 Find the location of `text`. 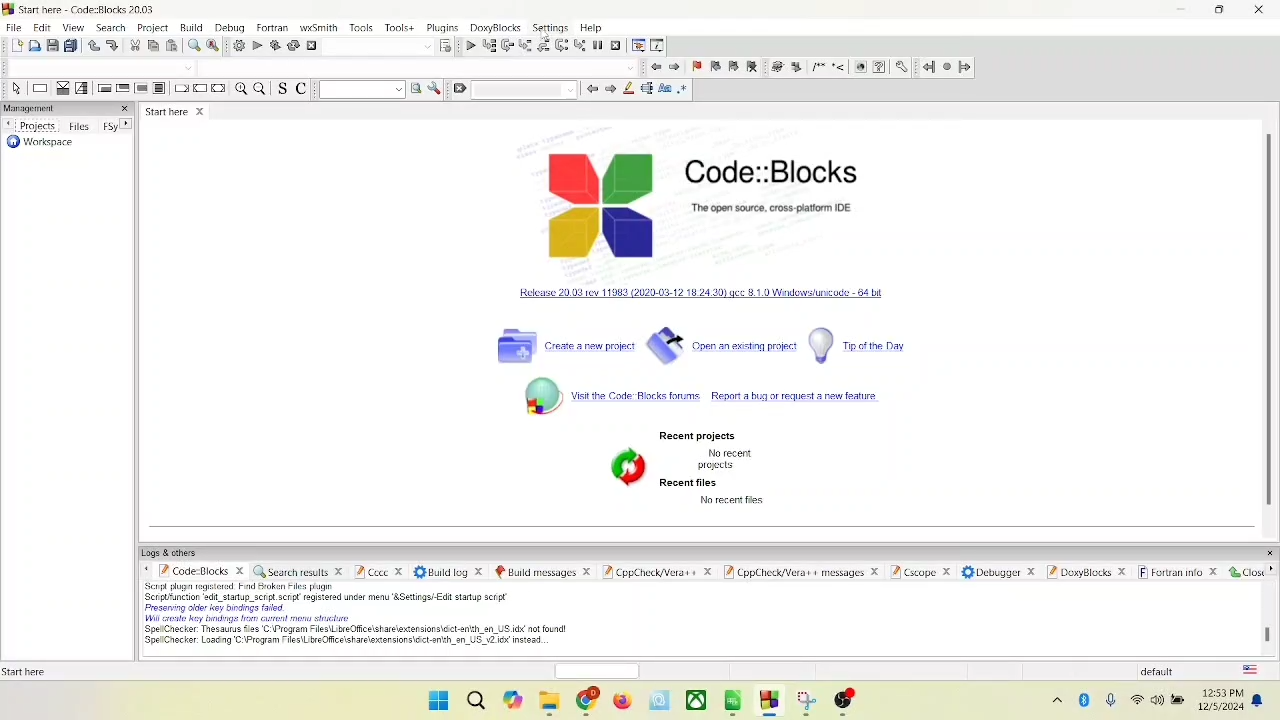

text is located at coordinates (730, 458).